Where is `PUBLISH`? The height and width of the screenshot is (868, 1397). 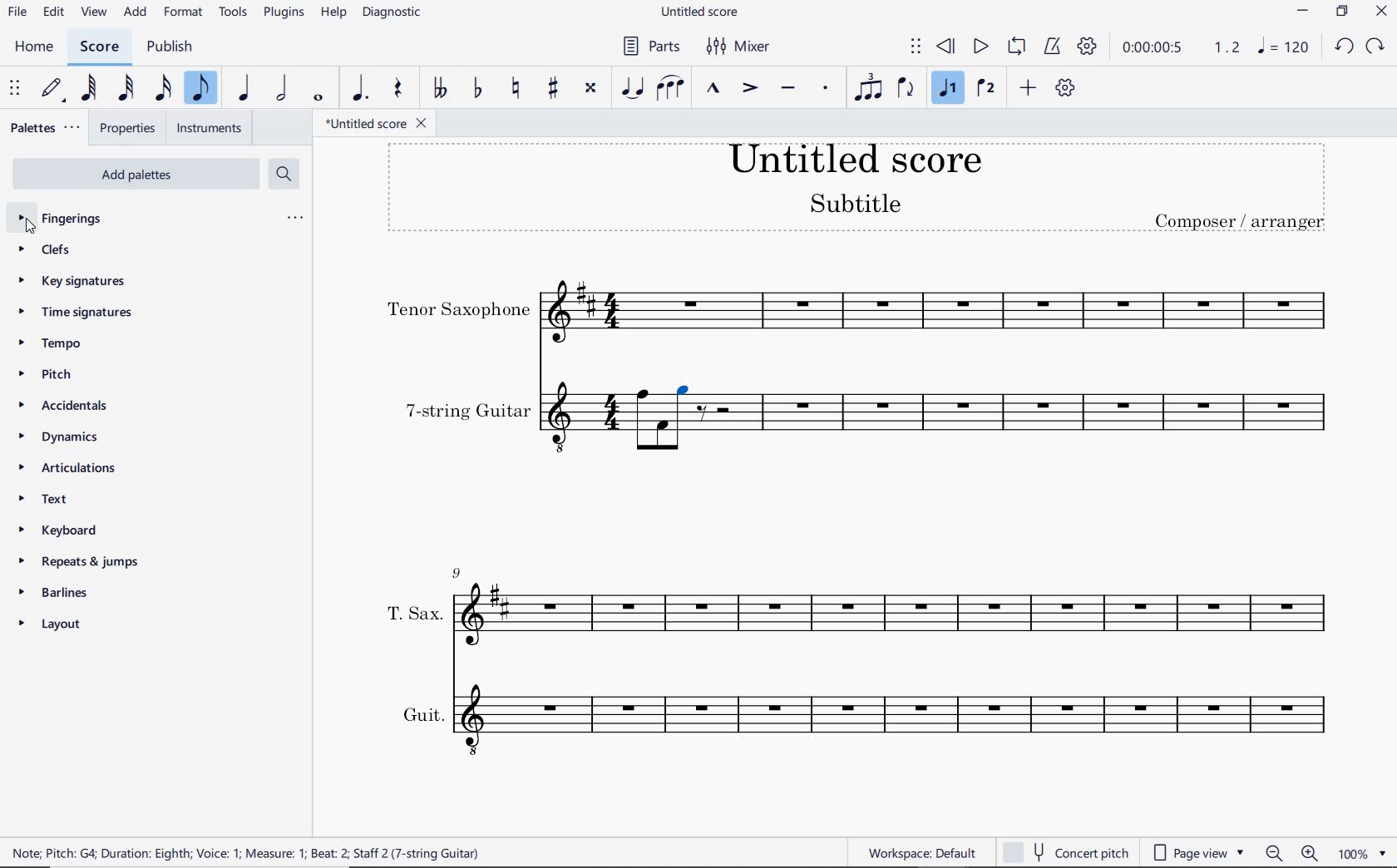
PUBLISH is located at coordinates (175, 47).